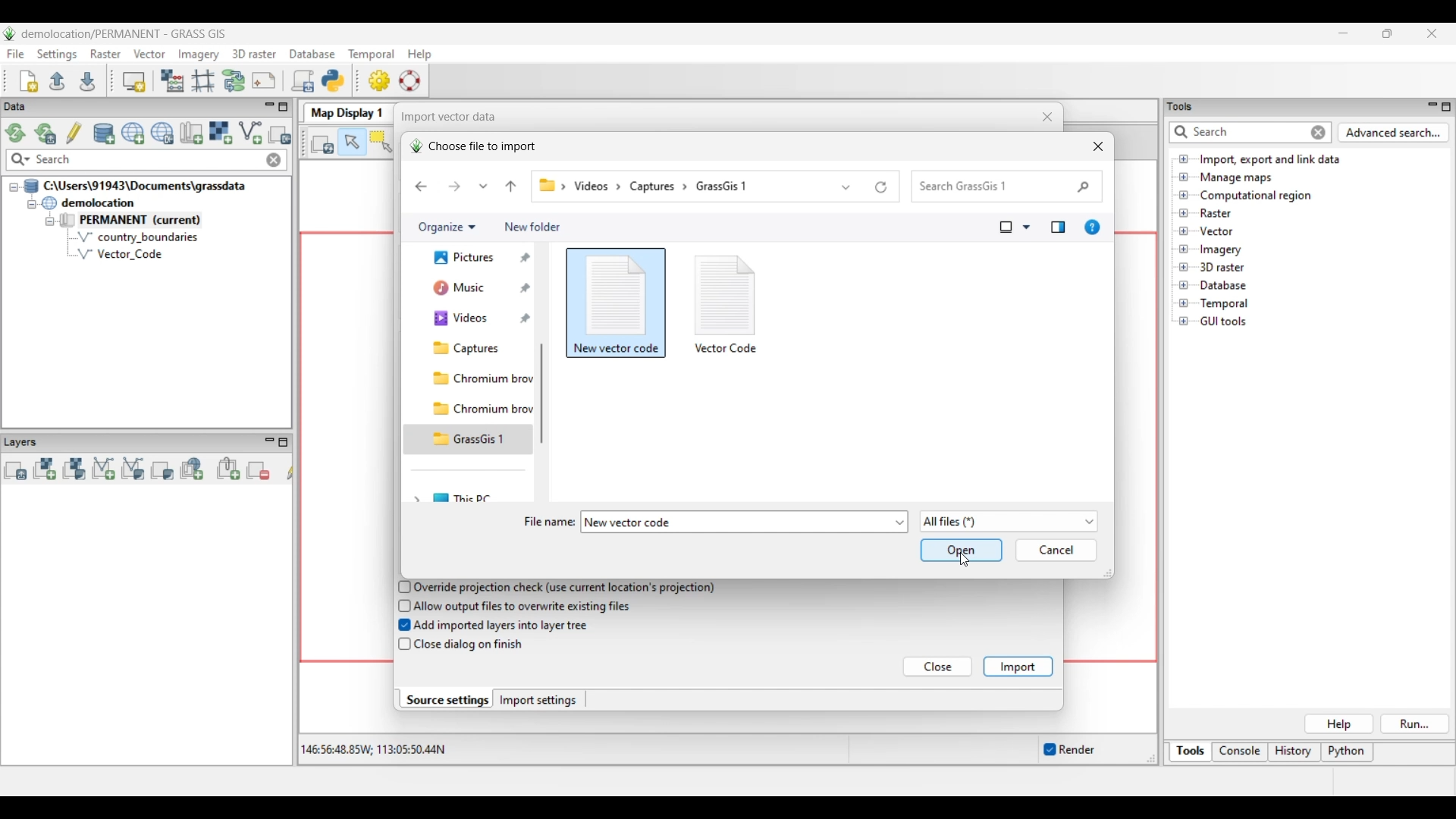 The image size is (1456, 819). I want to click on Open a simple python code editor, so click(333, 80).